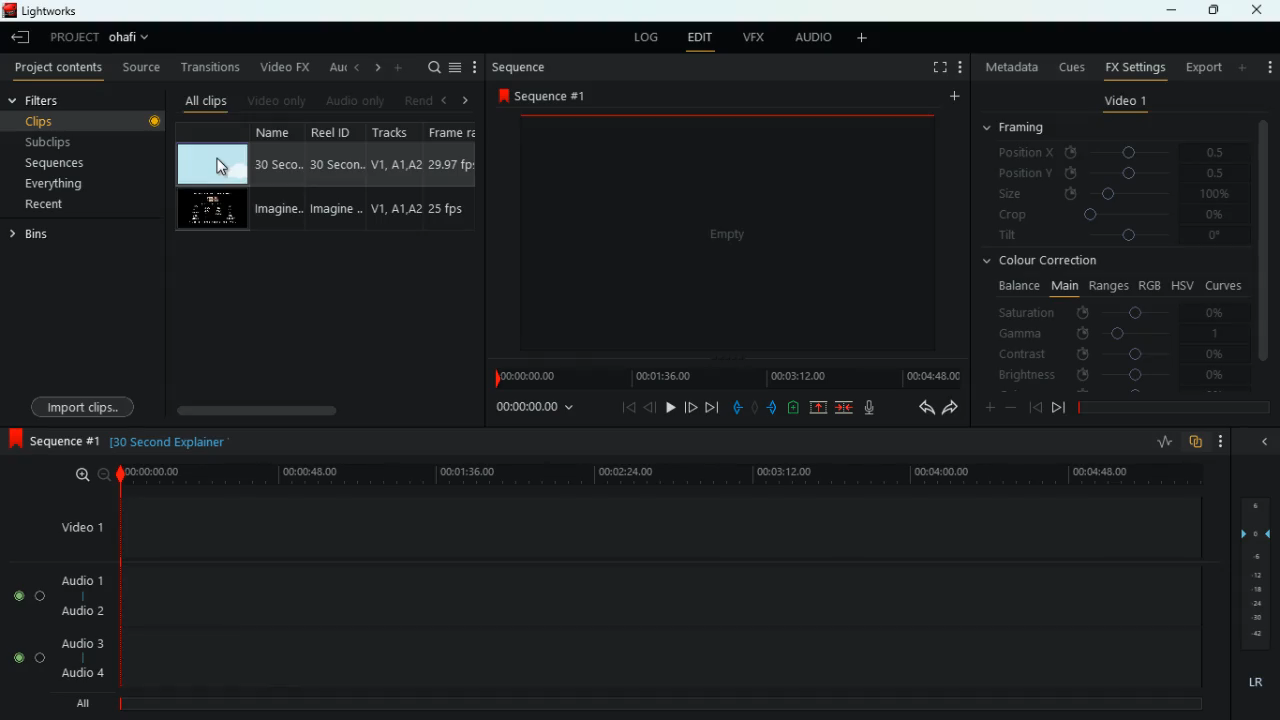 This screenshot has width=1280, height=720. I want to click on tilt, so click(1115, 237).